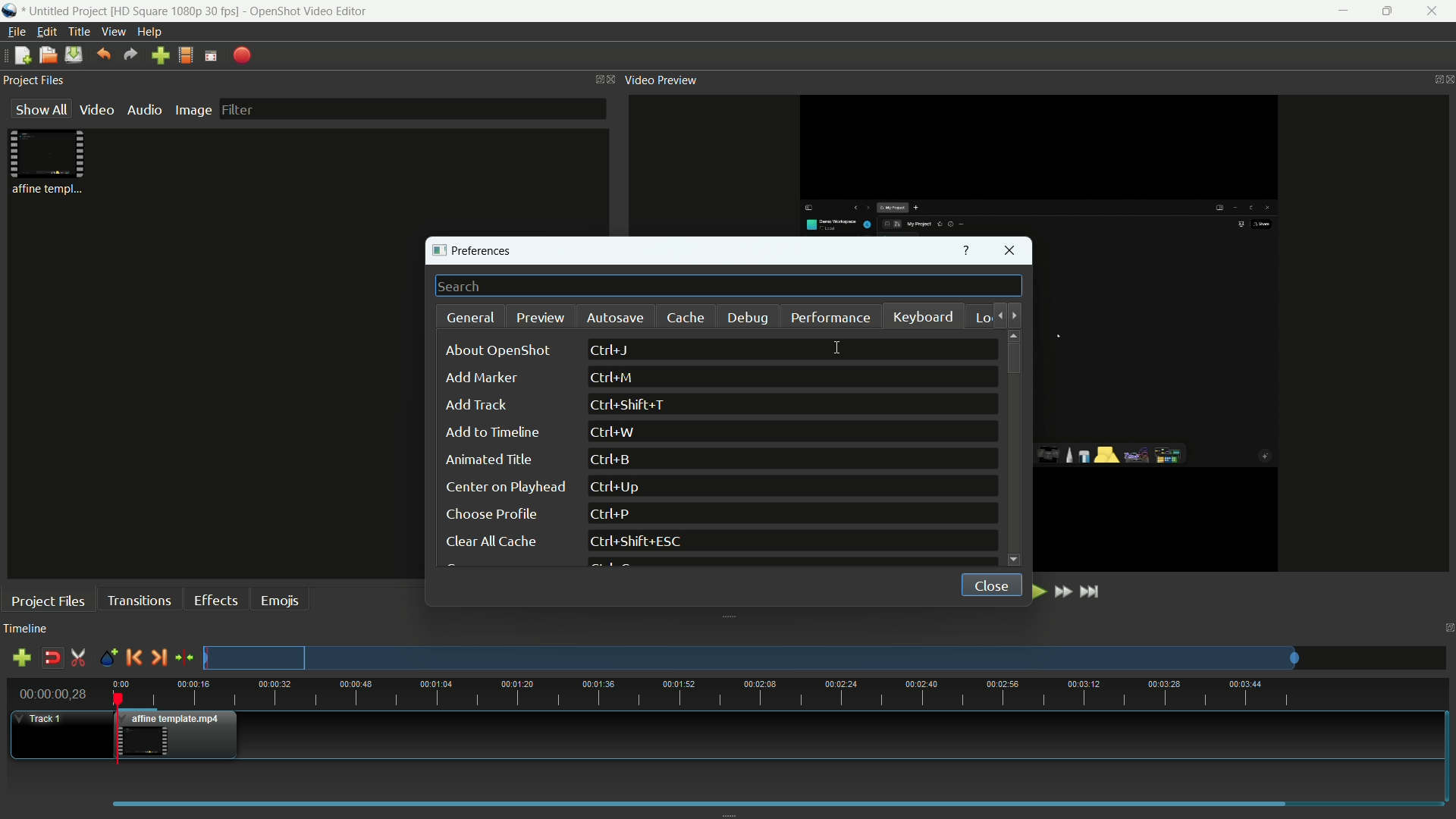 This screenshot has height=819, width=1456. Describe the element at coordinates (243, 55) in the screenshot. I see `export` at that location.